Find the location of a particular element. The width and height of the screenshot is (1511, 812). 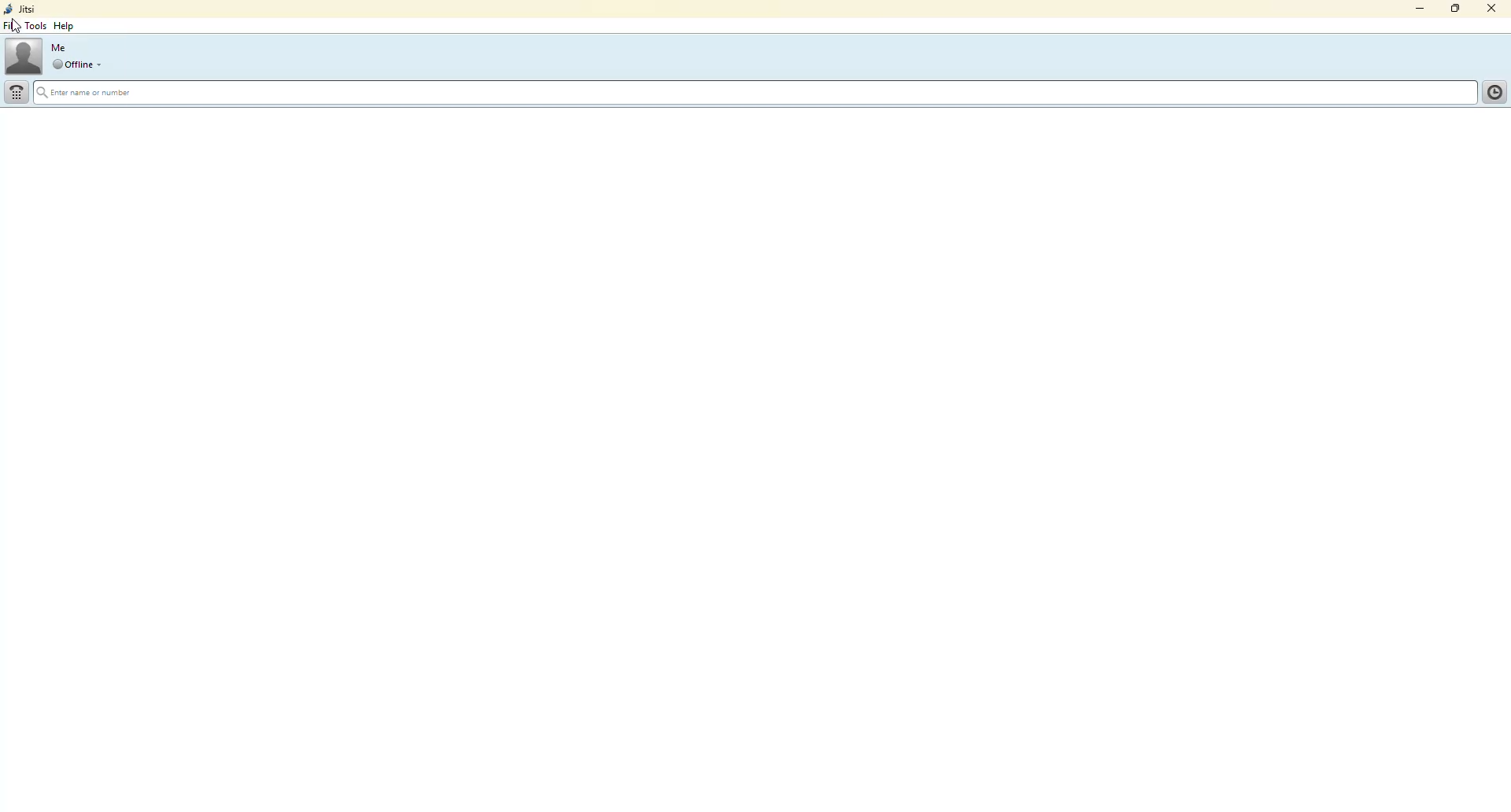

minimize is located at coordinates (1413, 10).